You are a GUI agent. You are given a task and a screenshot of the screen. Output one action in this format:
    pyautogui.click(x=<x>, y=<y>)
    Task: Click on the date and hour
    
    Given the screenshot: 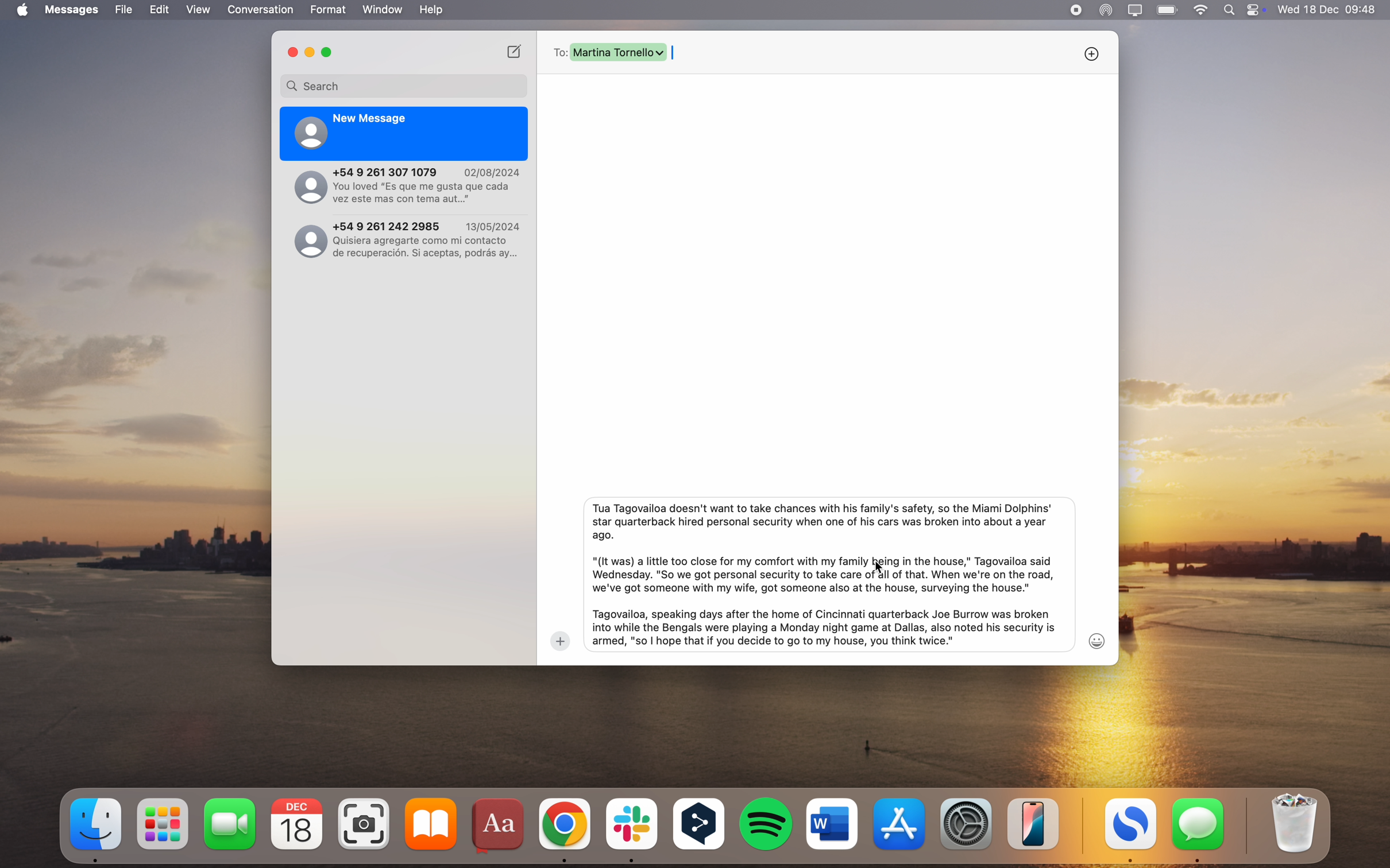 What is the action you would take?
    pyautogui.click(x=1328, y=9)
    